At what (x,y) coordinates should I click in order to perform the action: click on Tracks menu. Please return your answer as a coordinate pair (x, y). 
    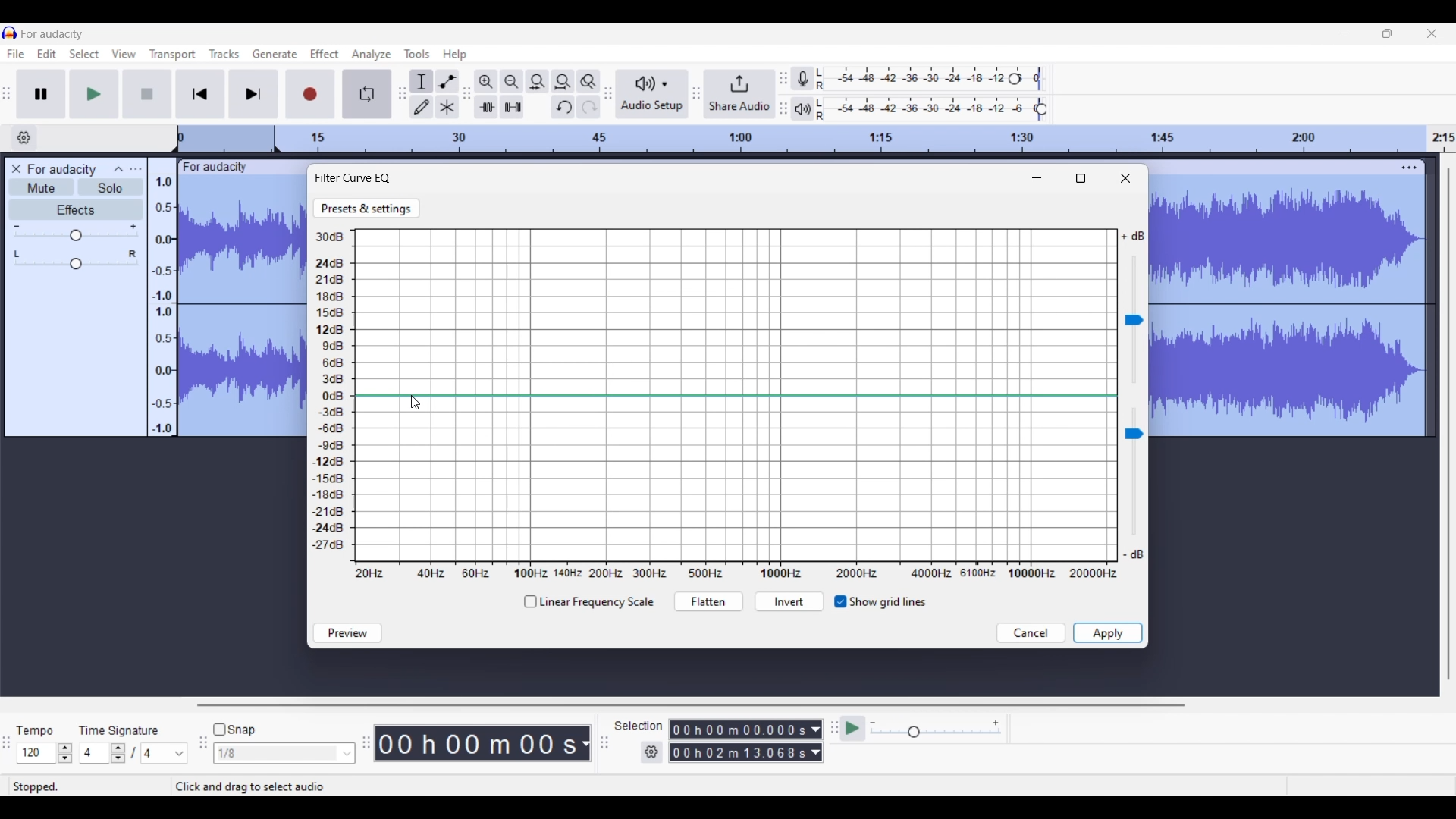
    Looking at the image, I should click on (224, 54).